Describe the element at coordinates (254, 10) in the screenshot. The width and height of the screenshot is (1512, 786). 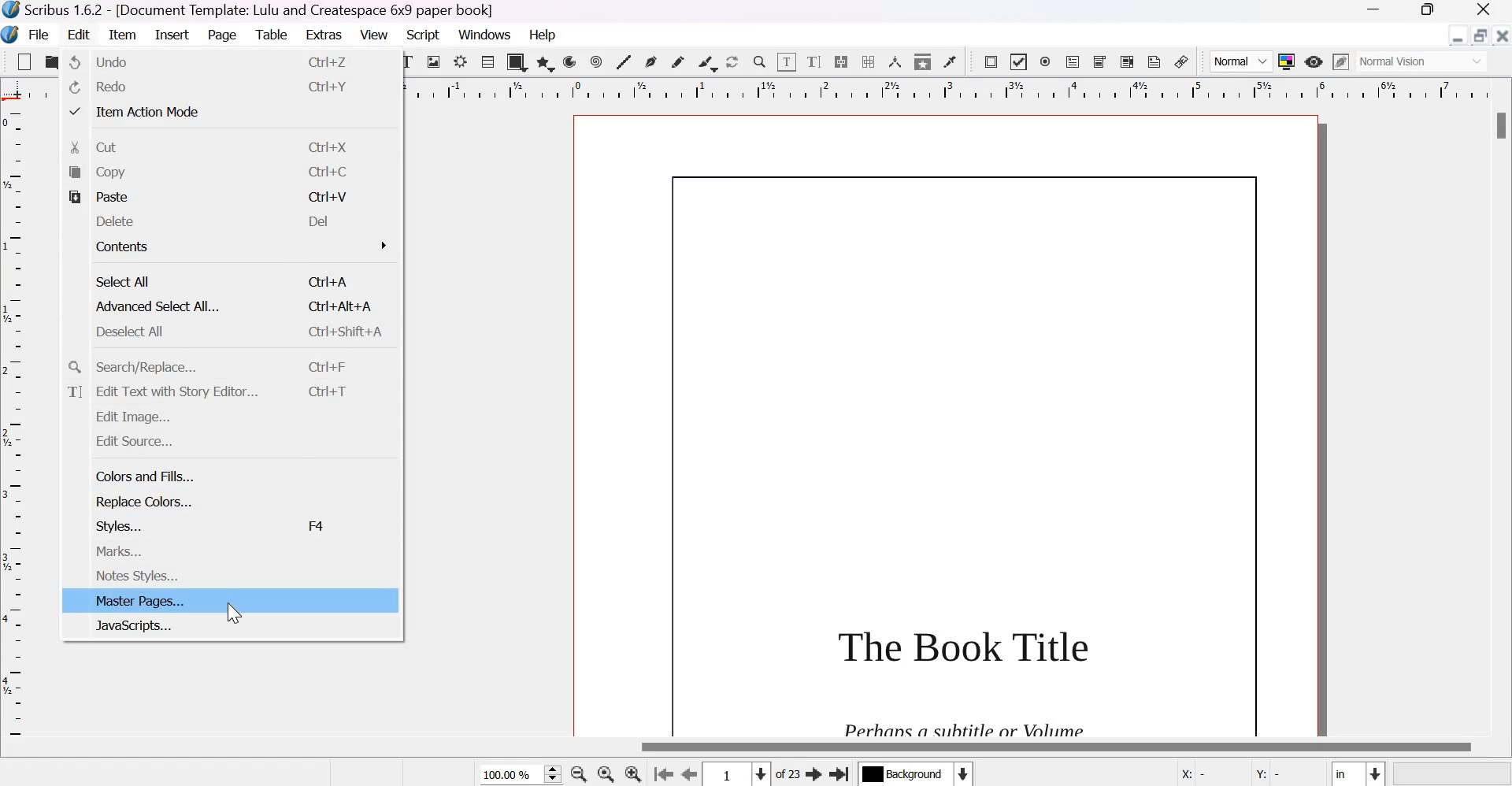
I see `Scribus 1.6.2 - [Document Template: Lulu and Createspace 6*9 paper book]` at that location.